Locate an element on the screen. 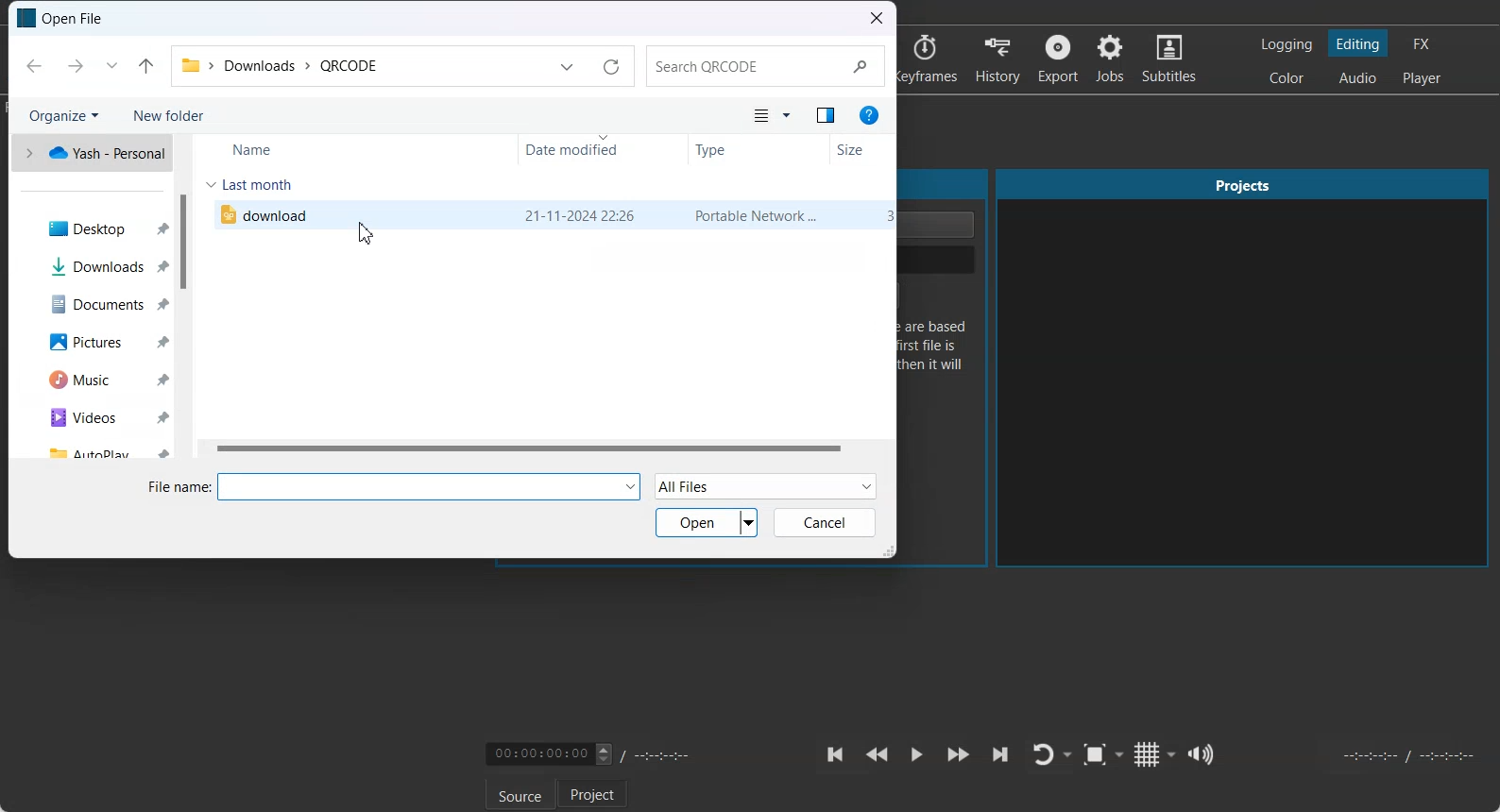 The height and width of the screenshot is (812, 1500). One drive file is located at coordinates (91, 152).